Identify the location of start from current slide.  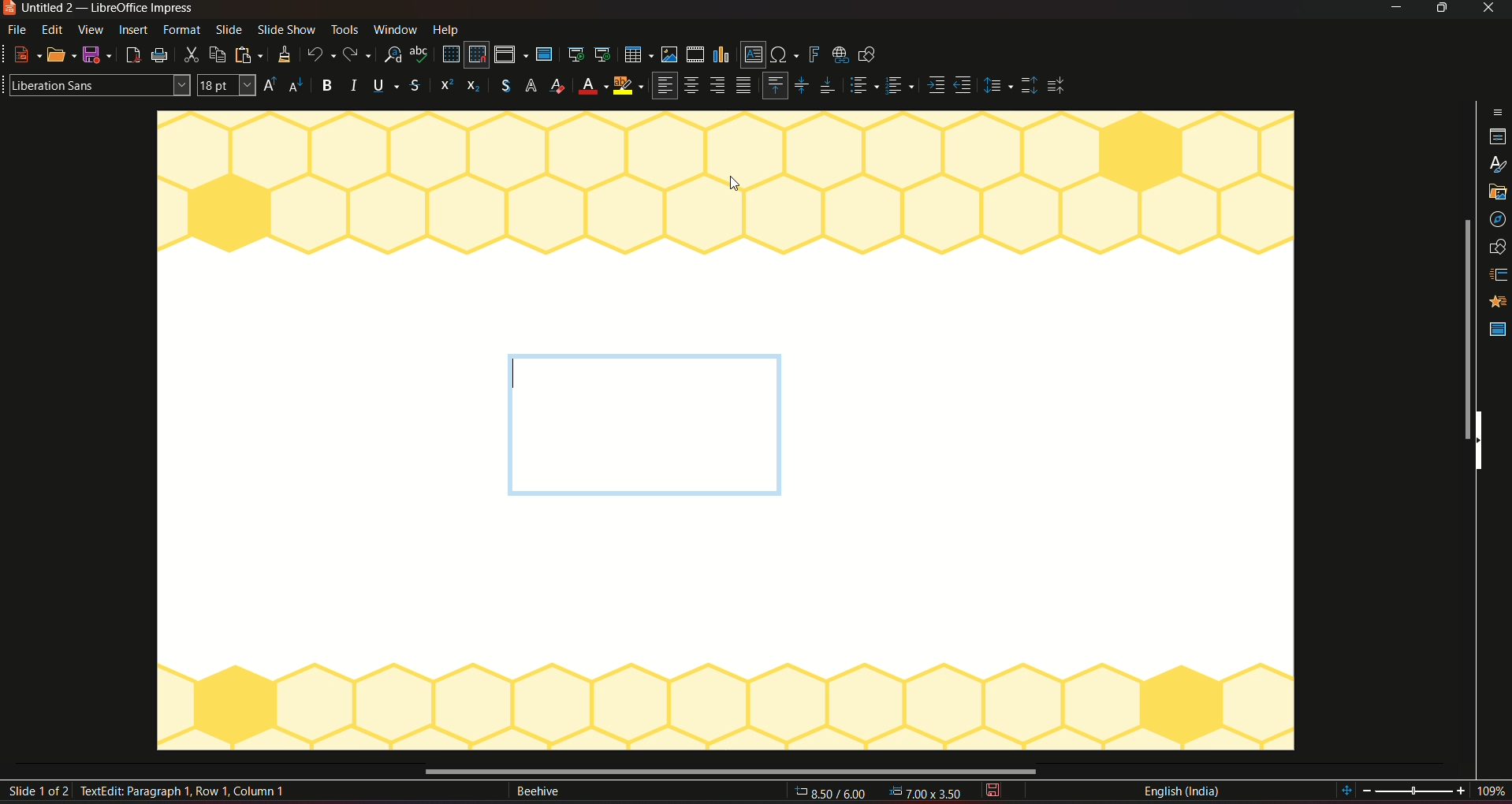
(602, 55).